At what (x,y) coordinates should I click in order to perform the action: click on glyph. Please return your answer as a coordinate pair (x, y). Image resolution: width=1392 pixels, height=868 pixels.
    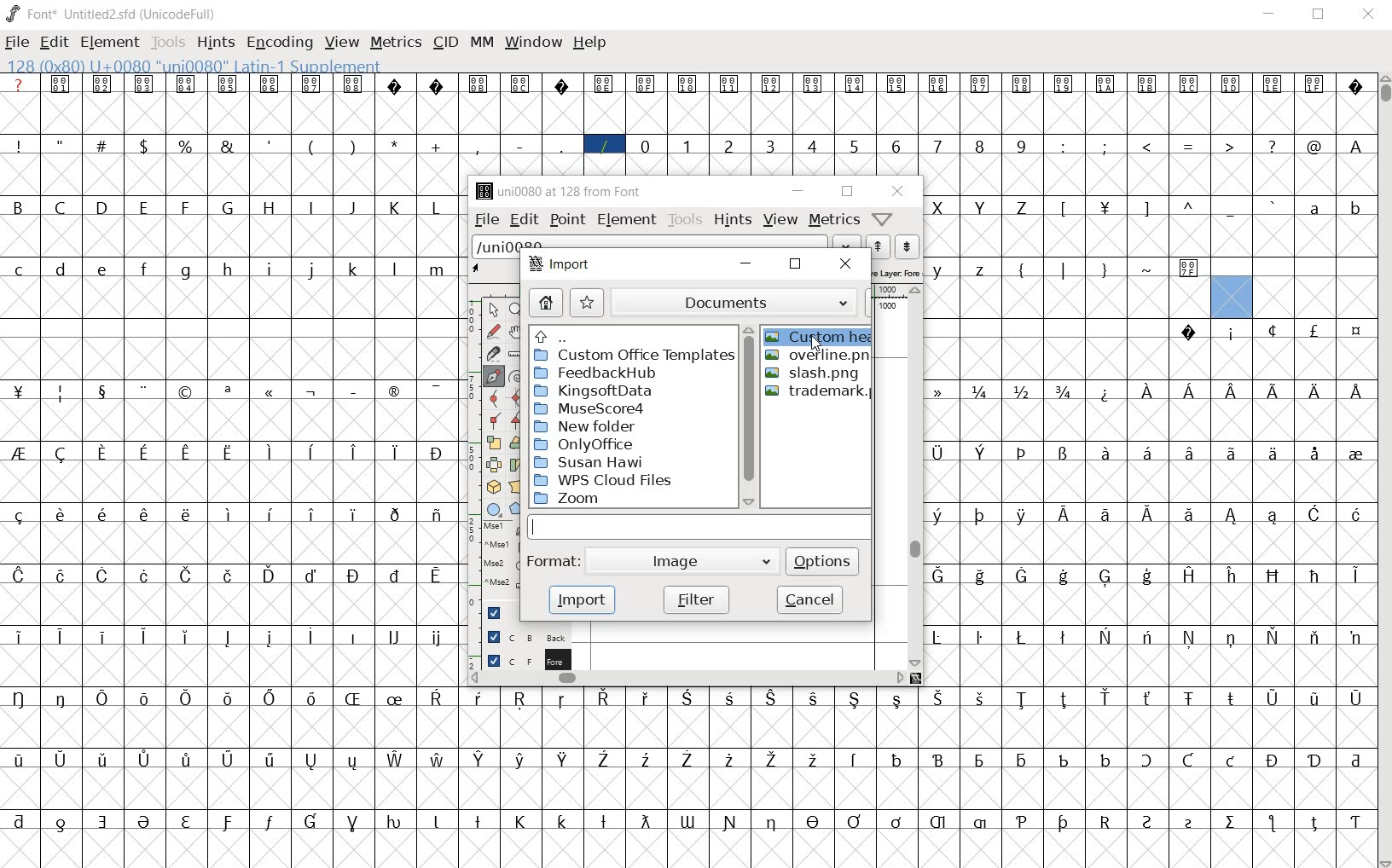
    Looking at the image, I should click on (604, 697).